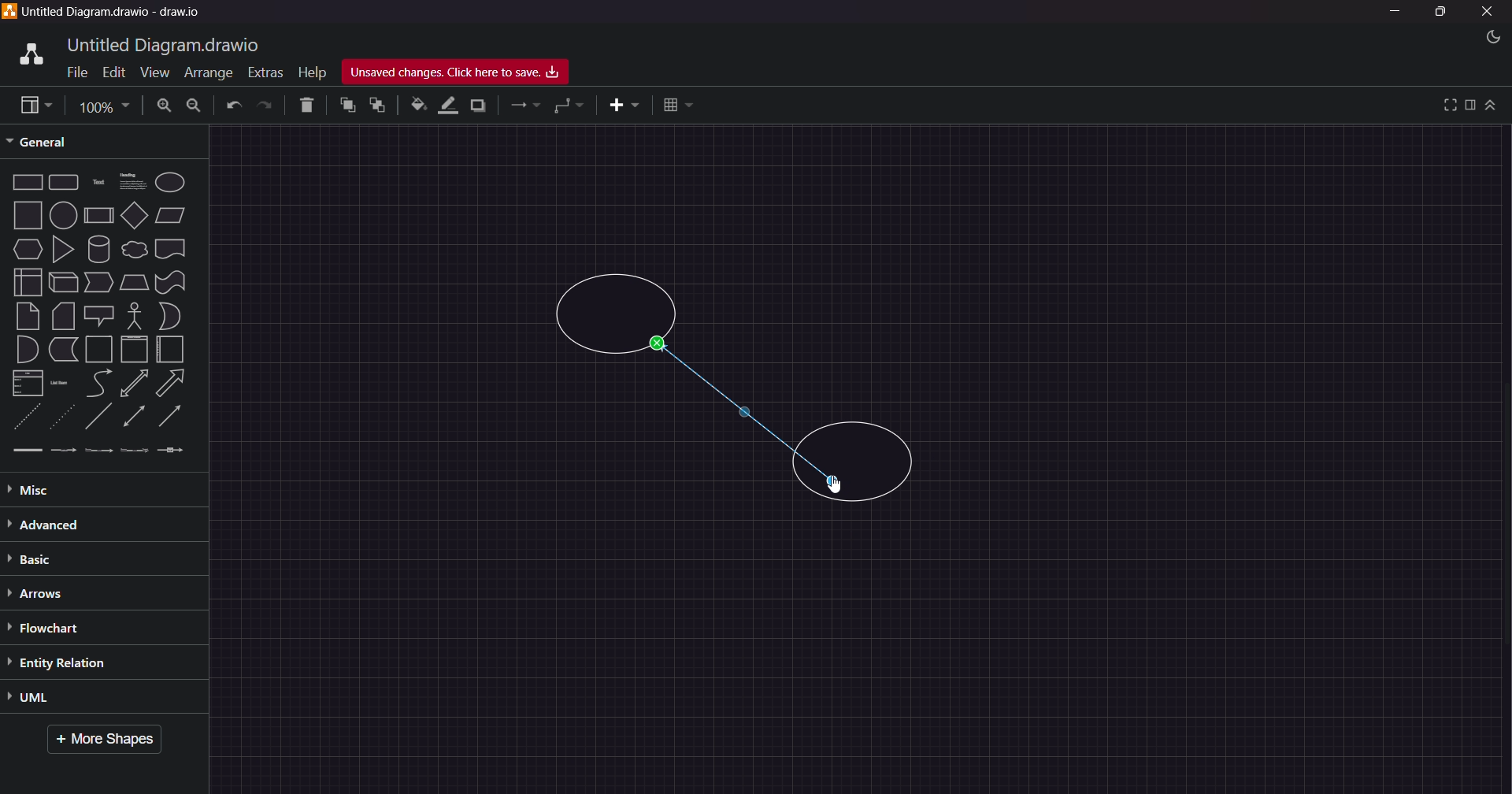 Image resolution: width=1512 pixels, height=794 pixels. What do you see at coordinates (481, 105) in the screenshot?
I see `shadow` at bounding box center [481, 105].